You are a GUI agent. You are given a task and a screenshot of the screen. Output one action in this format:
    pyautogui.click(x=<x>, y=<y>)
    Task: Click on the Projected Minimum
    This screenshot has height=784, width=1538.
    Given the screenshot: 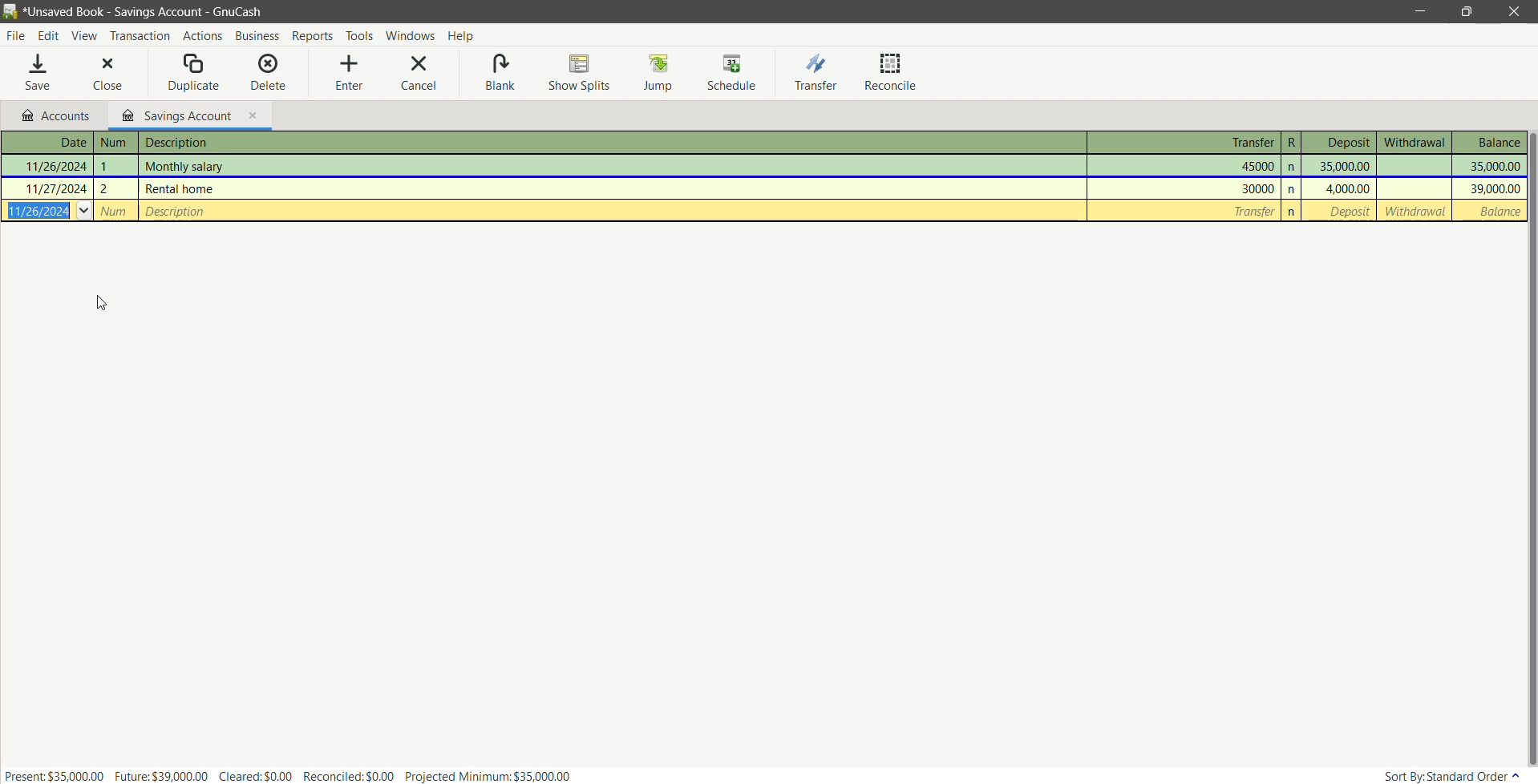 What is the action you would take?
    pyautogui.click(x=489, y=777)
    